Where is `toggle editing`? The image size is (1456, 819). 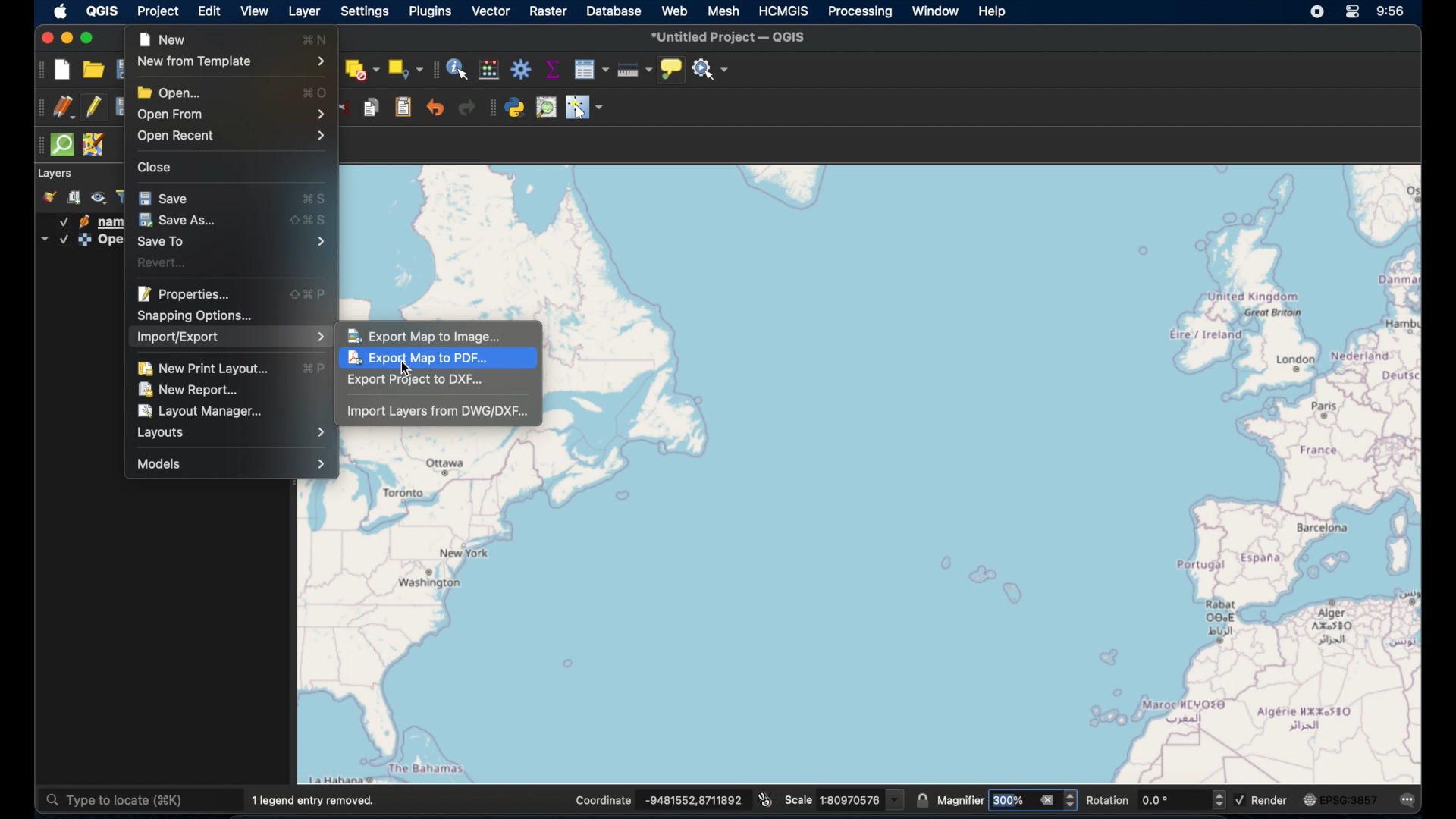 toggle editing is located at coordinates (93, 108).